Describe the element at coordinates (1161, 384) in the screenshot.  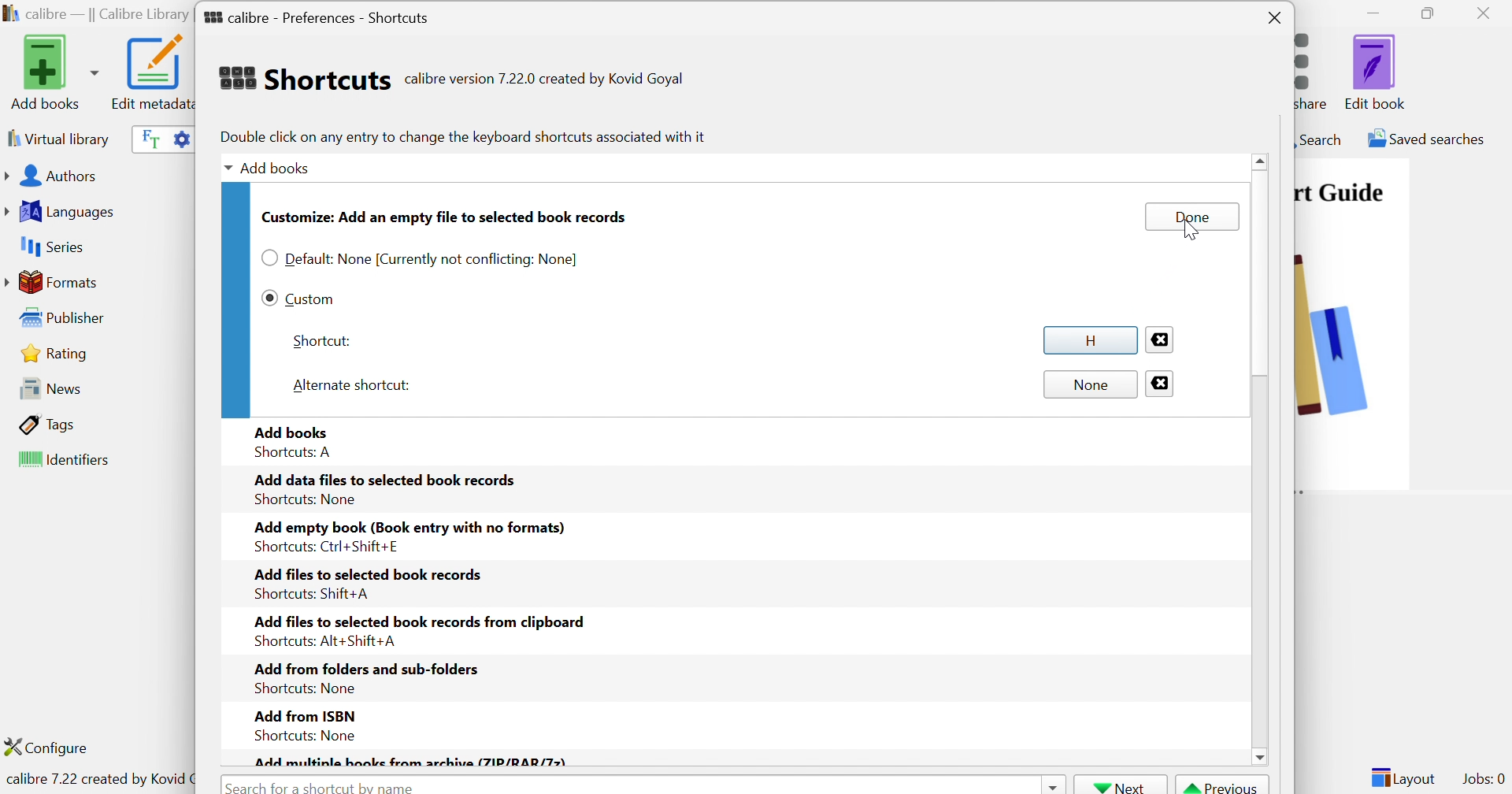
I see `Close` at that location.